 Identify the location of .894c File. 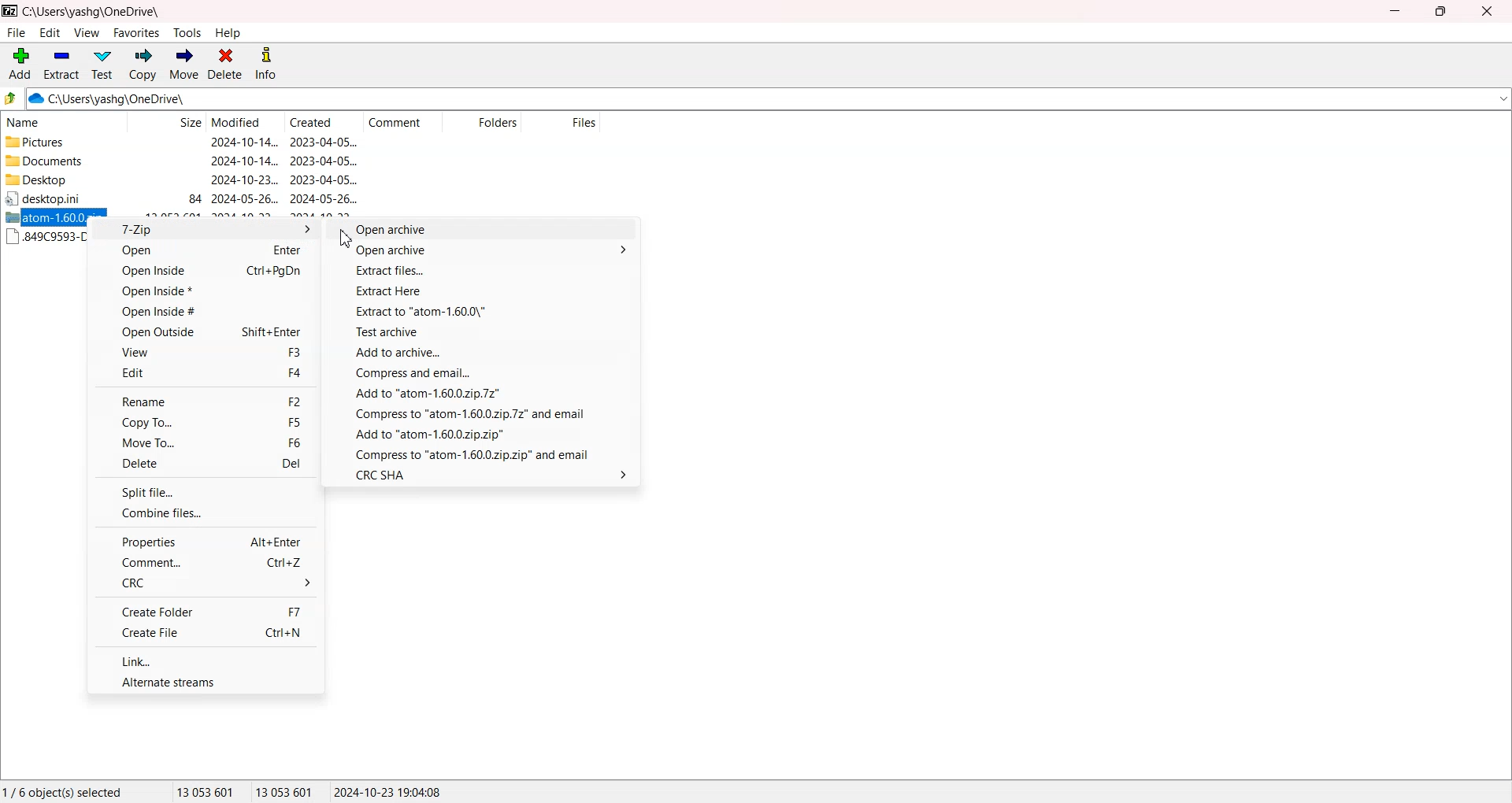
(46, 237).